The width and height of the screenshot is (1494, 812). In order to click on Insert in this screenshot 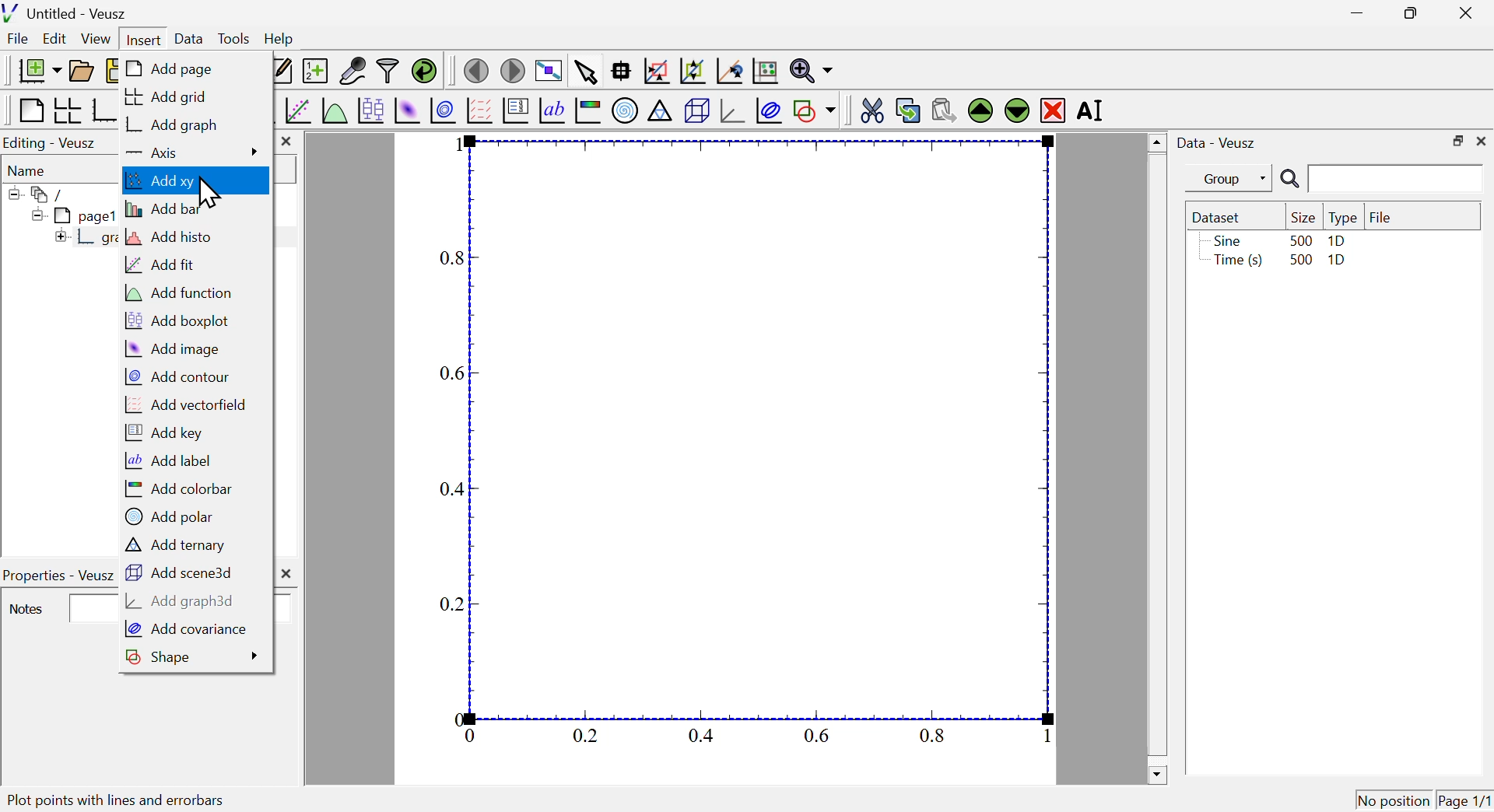, I will do `click(141, 37)`.